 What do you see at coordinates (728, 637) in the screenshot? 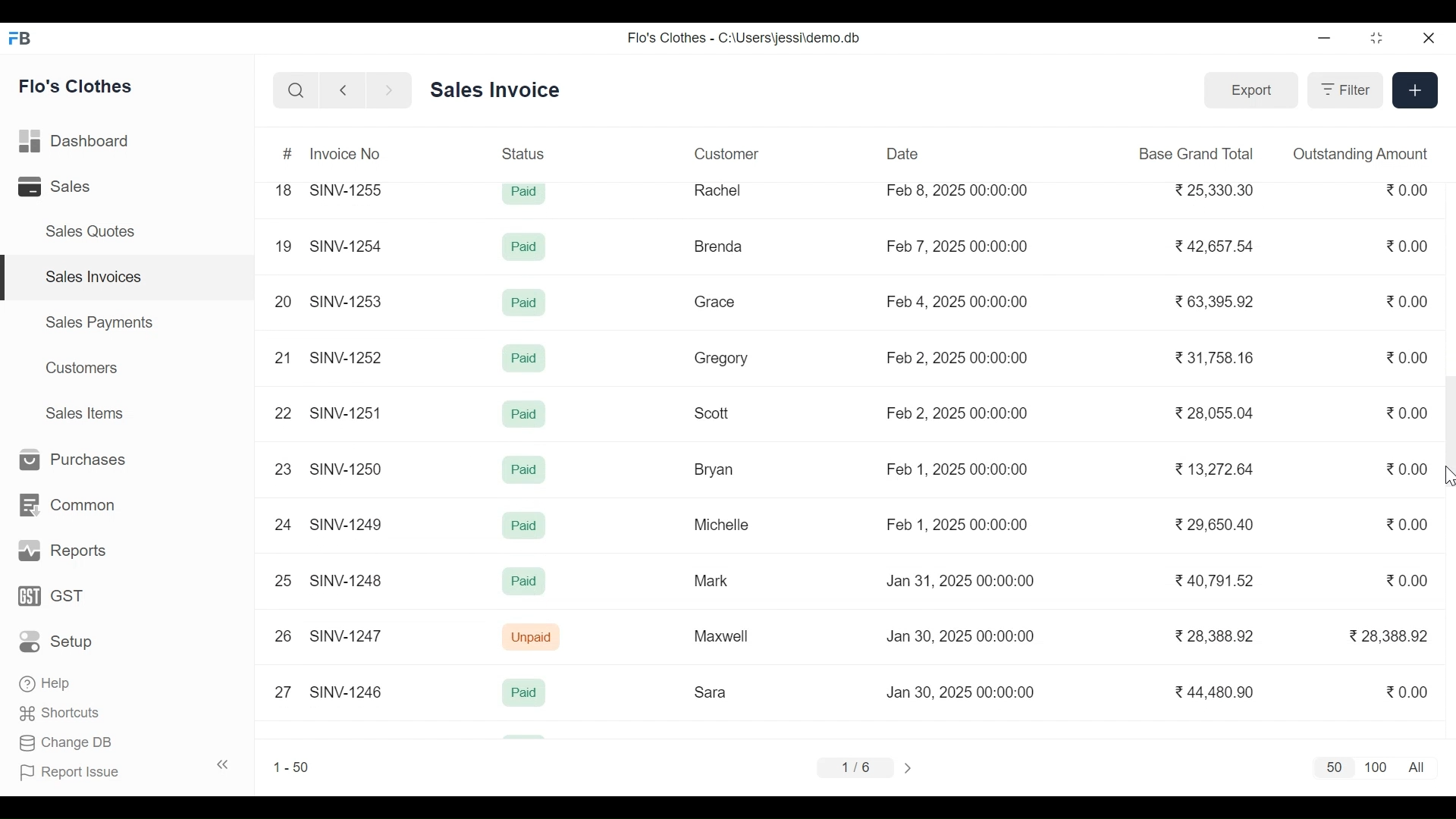
I see `Maxwell` at bounding box center [728, 637].